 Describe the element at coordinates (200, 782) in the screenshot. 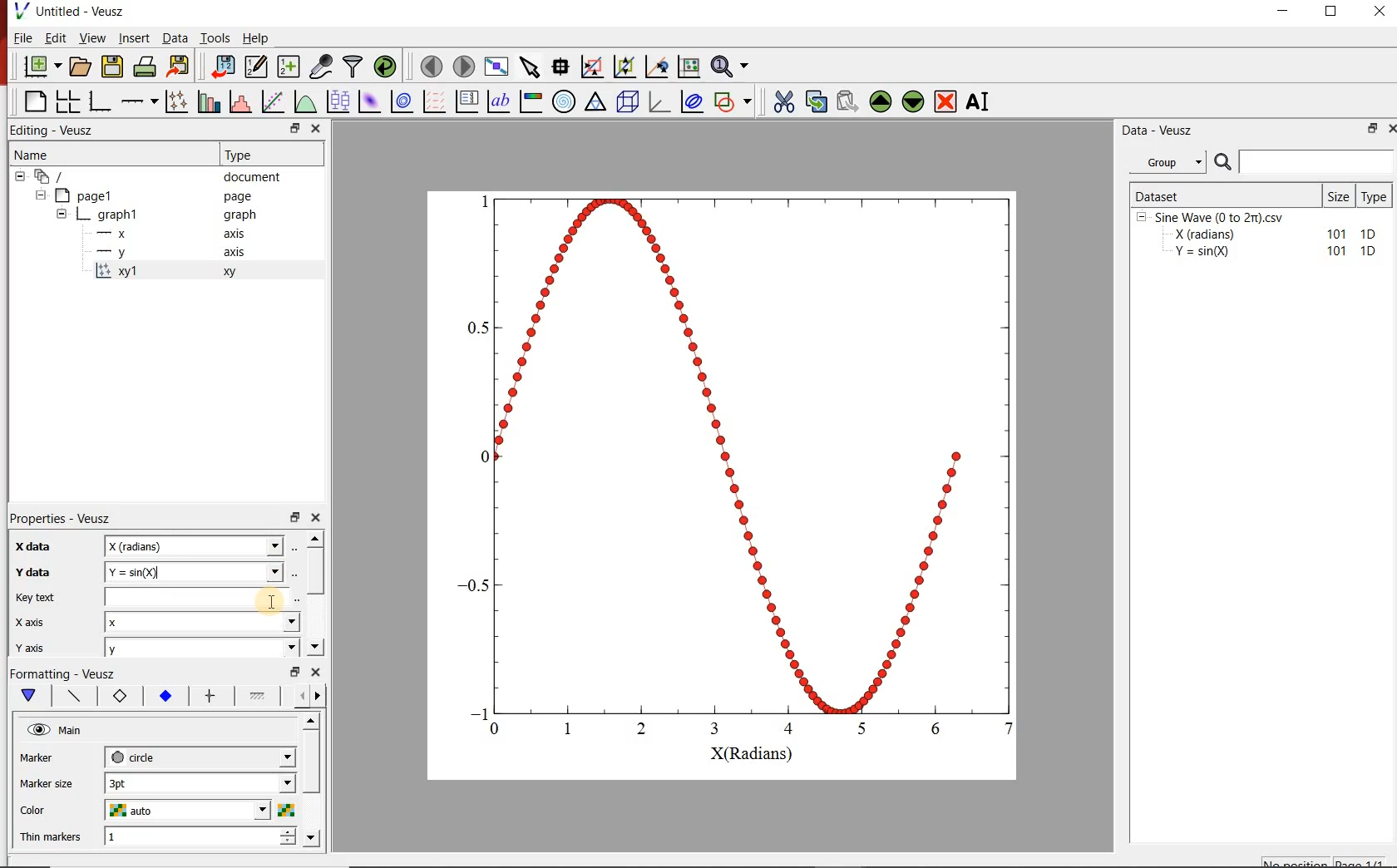

I see `3 pt` at that location.